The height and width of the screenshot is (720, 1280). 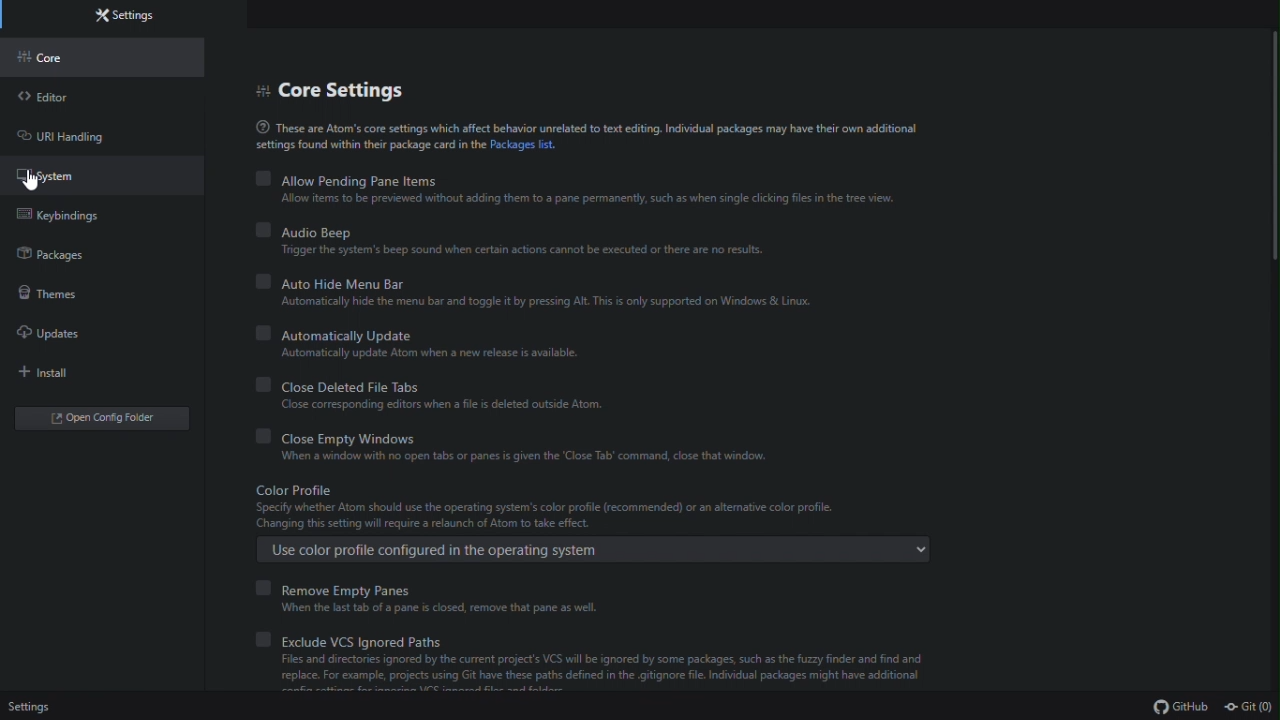 What do you see at coordinates (606, 135) in the screenshot?
I see `® These are Atom's core settings which affect behavior unrelated to text editing. Individual packages may have their own additionalsettings found within their package card in the Packages list.` at bounding box center [606, 135].